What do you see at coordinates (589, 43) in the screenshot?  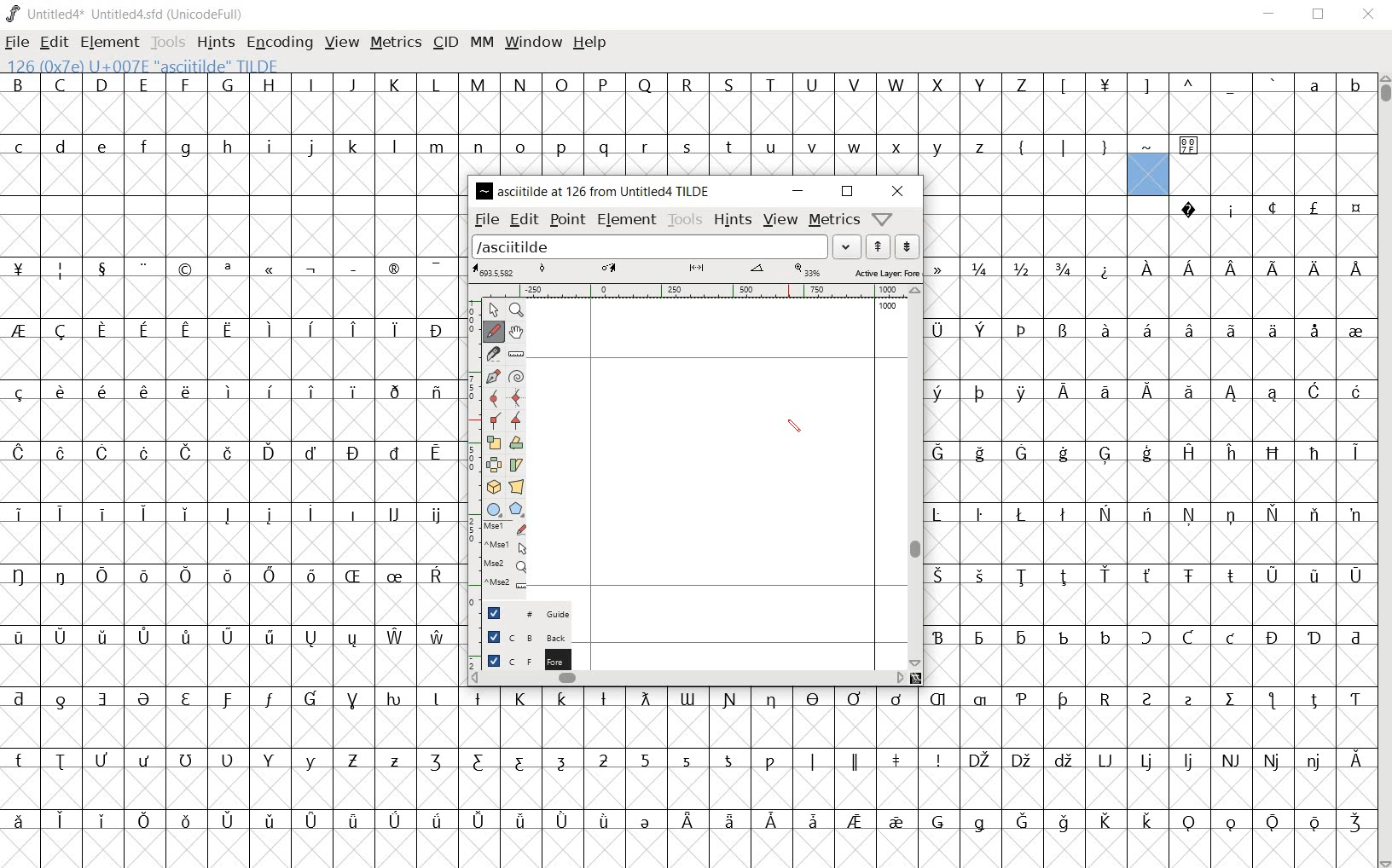 I see `HELP` at bounding box center [589, 43].